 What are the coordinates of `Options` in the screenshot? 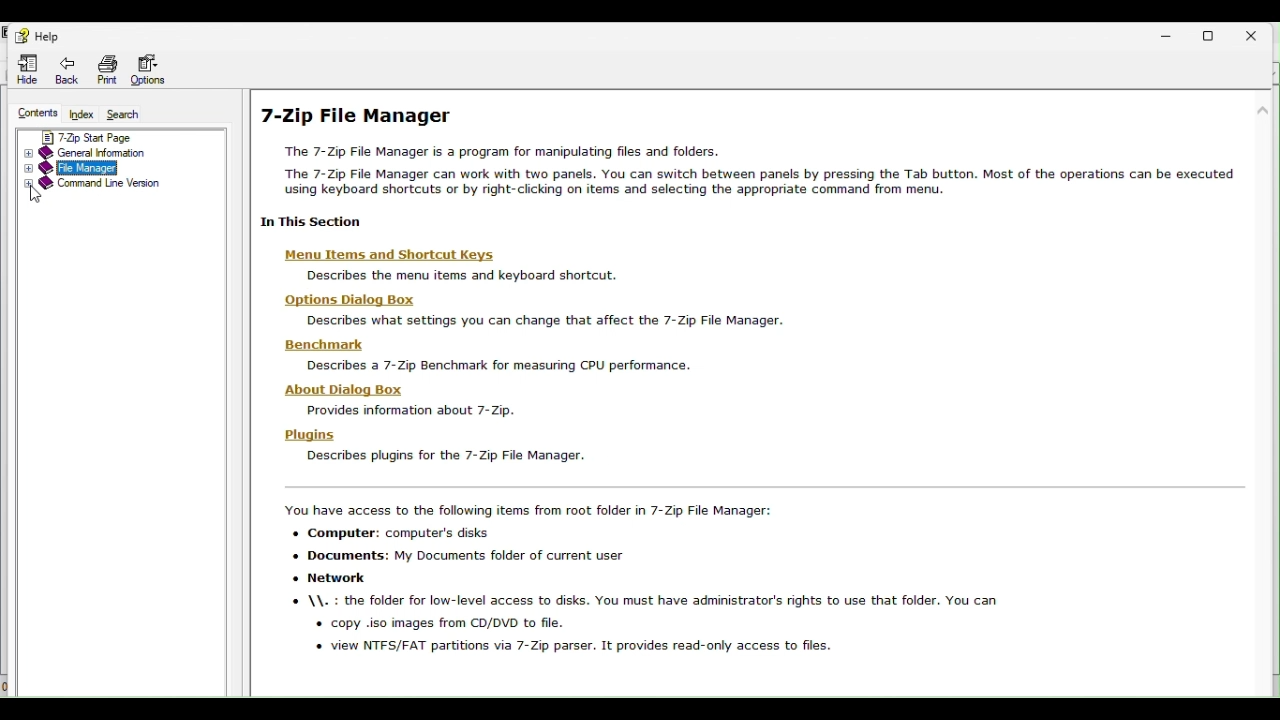 It's located at (150, 67).